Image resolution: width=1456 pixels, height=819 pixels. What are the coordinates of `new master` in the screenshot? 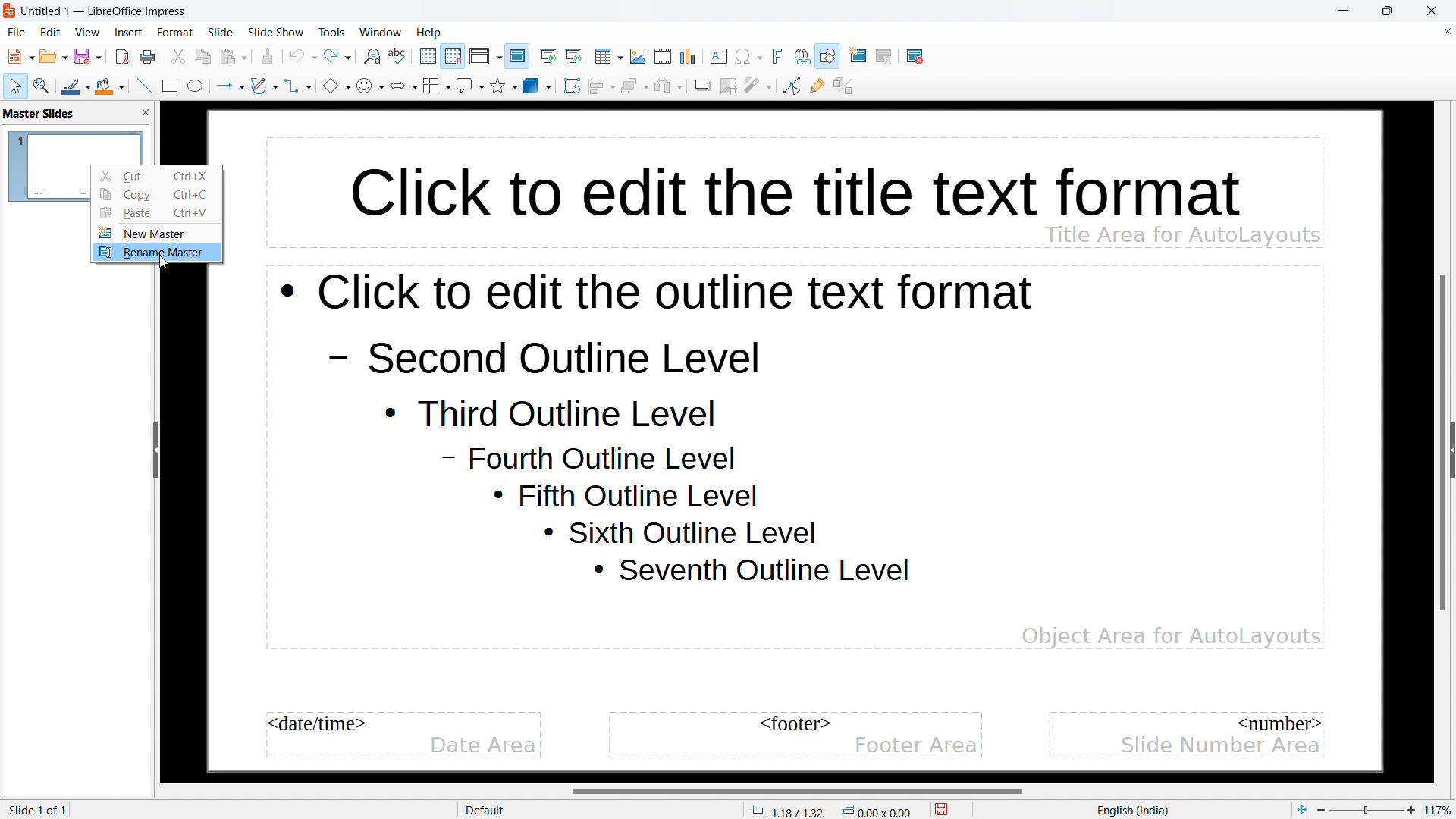 It's located at (157, 234).